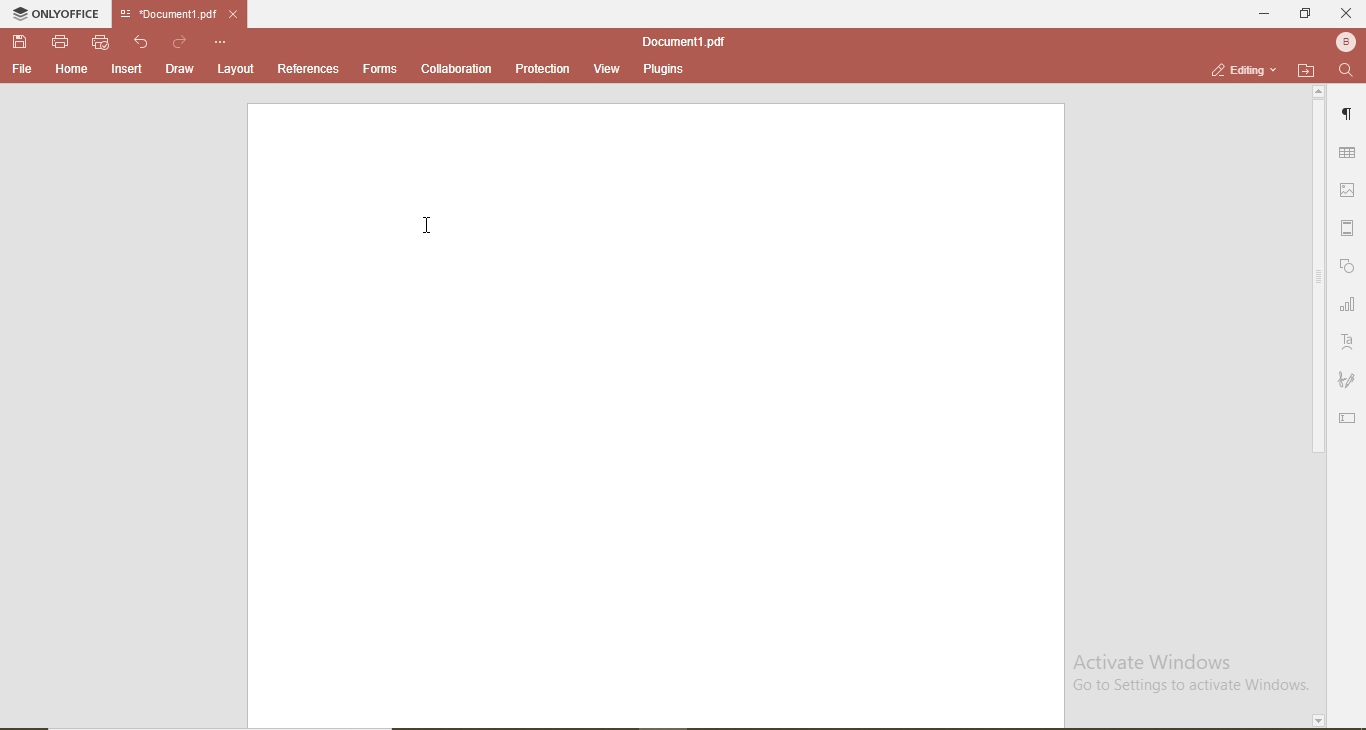  I want to click on chart, so click(1348, 304).